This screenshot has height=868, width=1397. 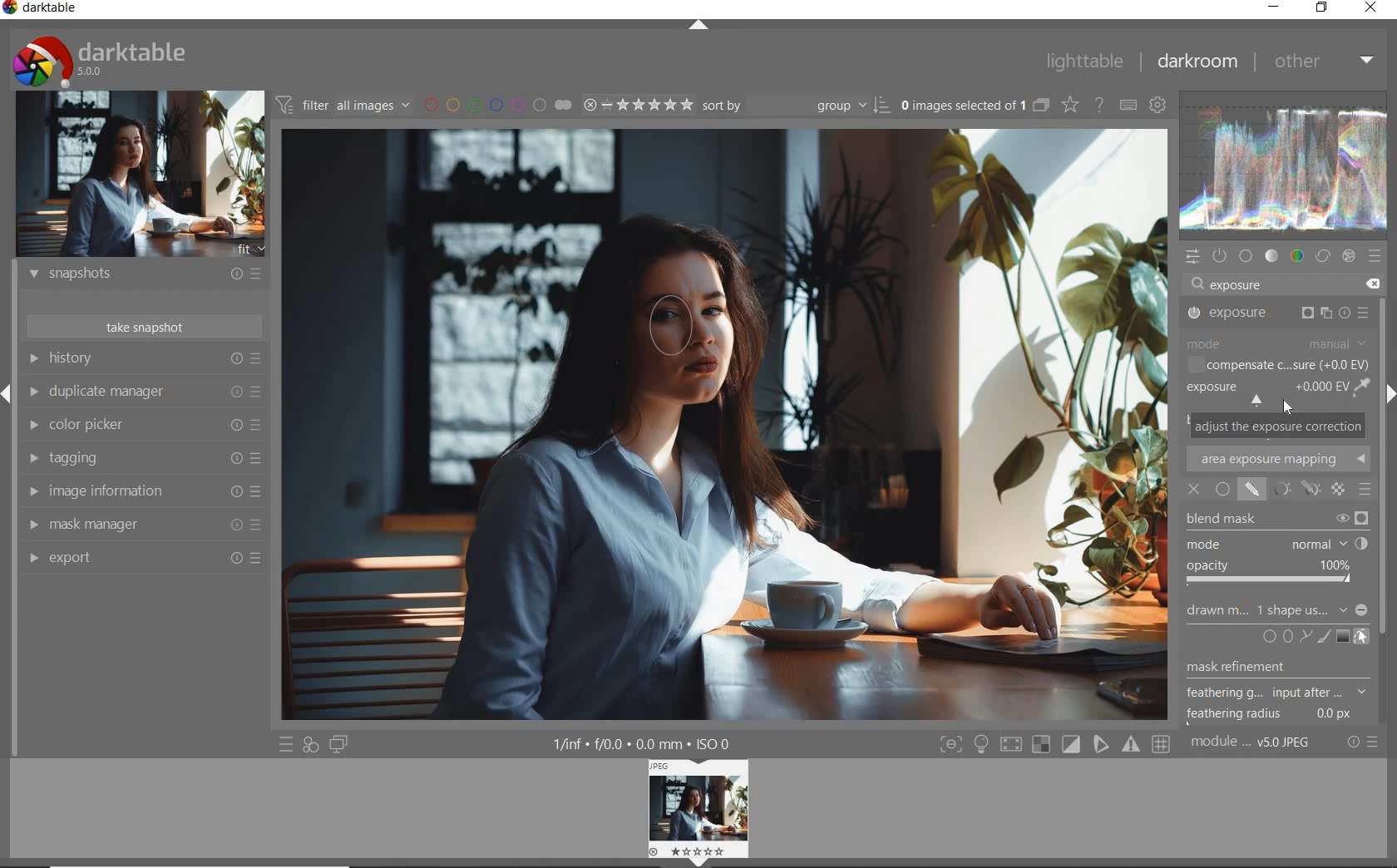 I want to click on BLENDING MODE, so click(x=1365, y=491).